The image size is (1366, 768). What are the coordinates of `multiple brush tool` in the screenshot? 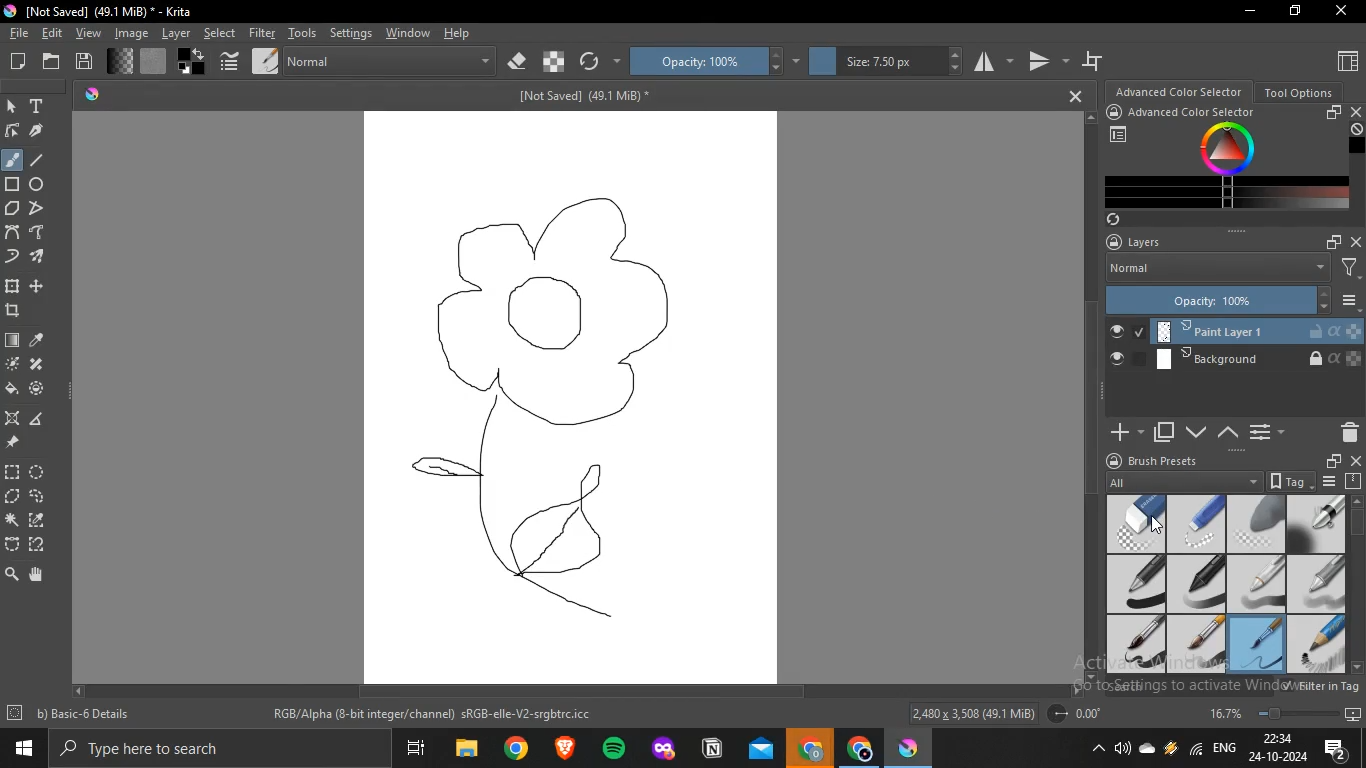 It's located at (38, 258).